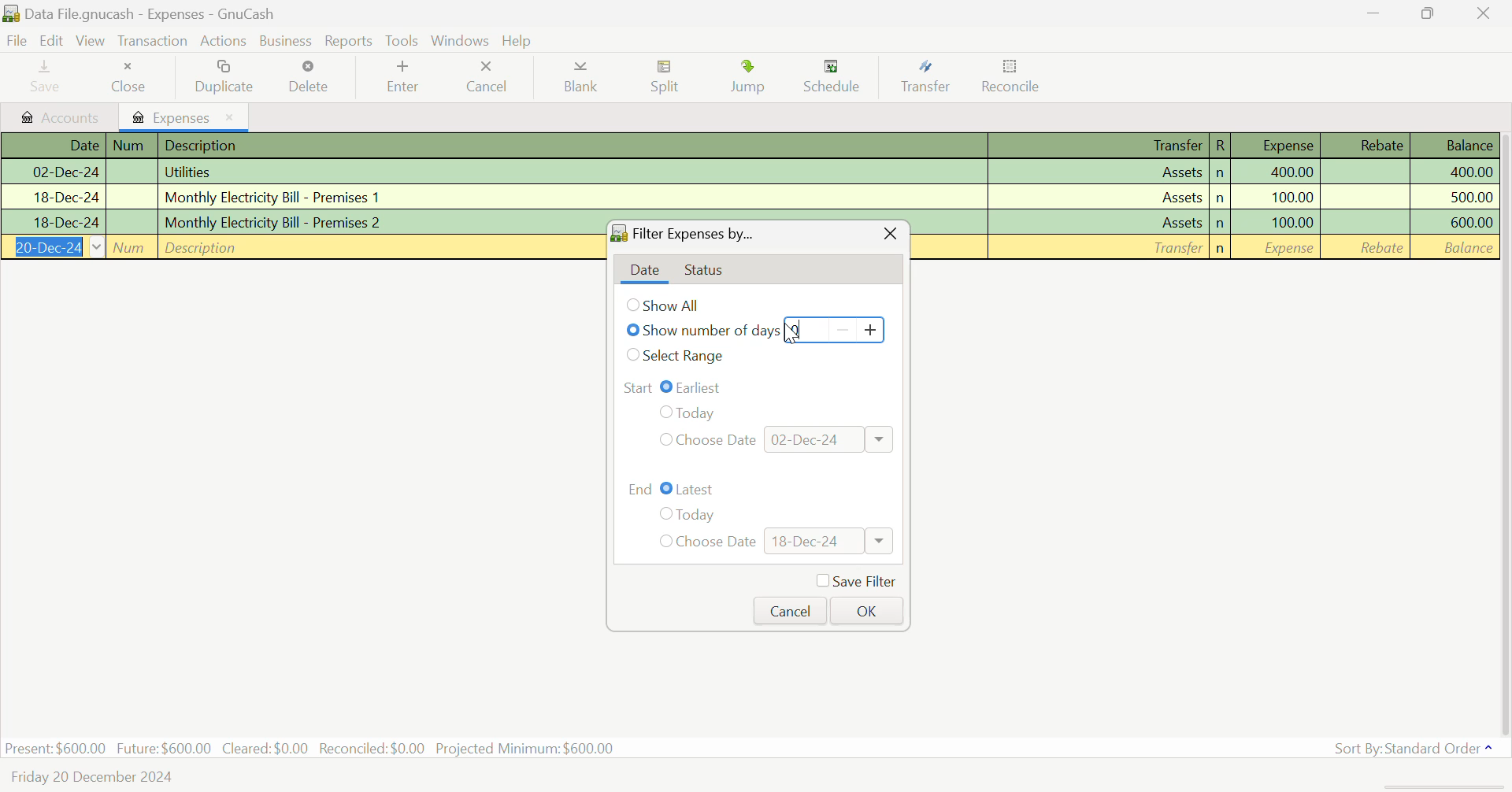  Describe the element at coordinates (762, 489) in the screenshot. I see `Range End: Latest` at that location.